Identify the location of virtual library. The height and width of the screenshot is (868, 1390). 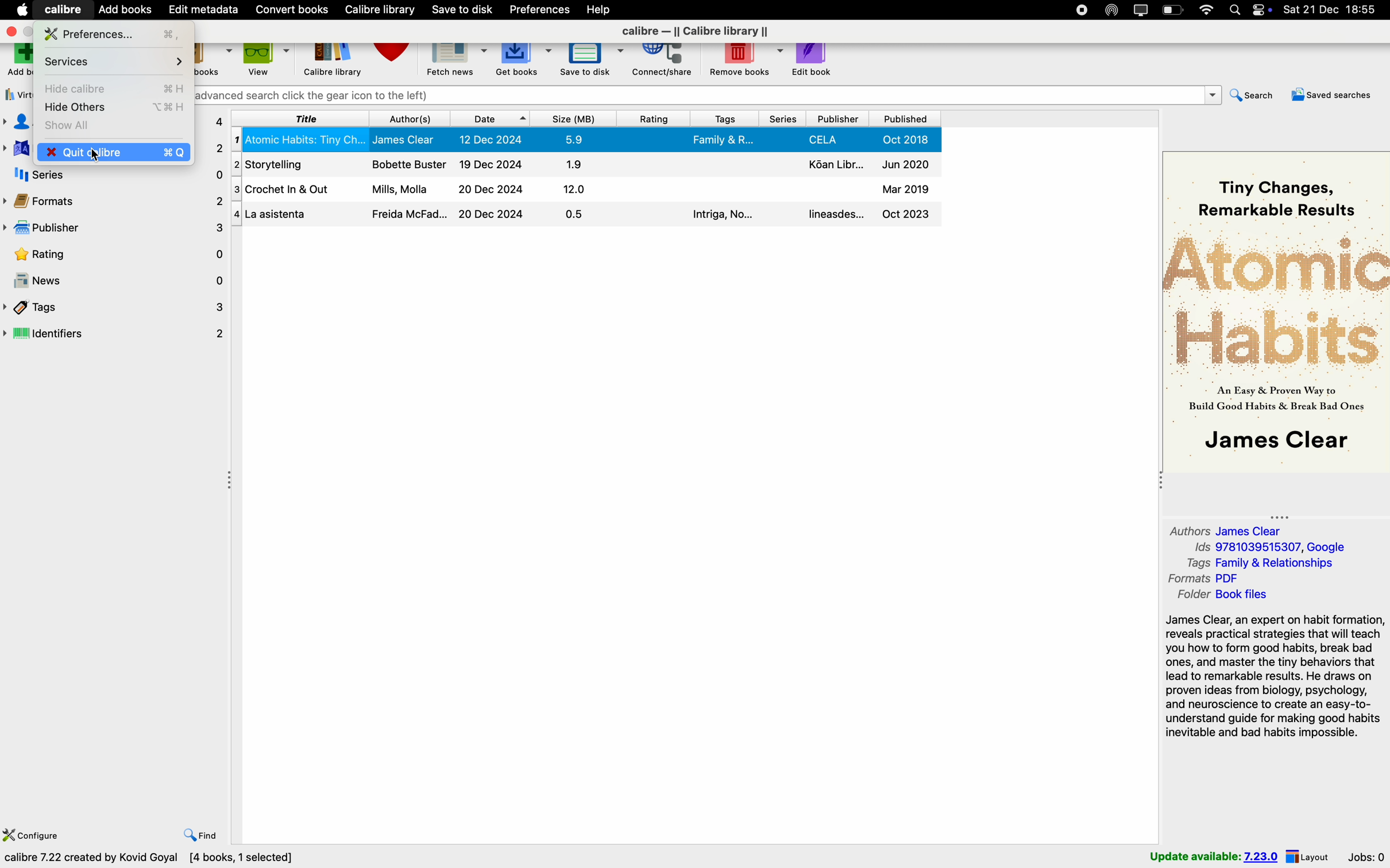
(17, 96).